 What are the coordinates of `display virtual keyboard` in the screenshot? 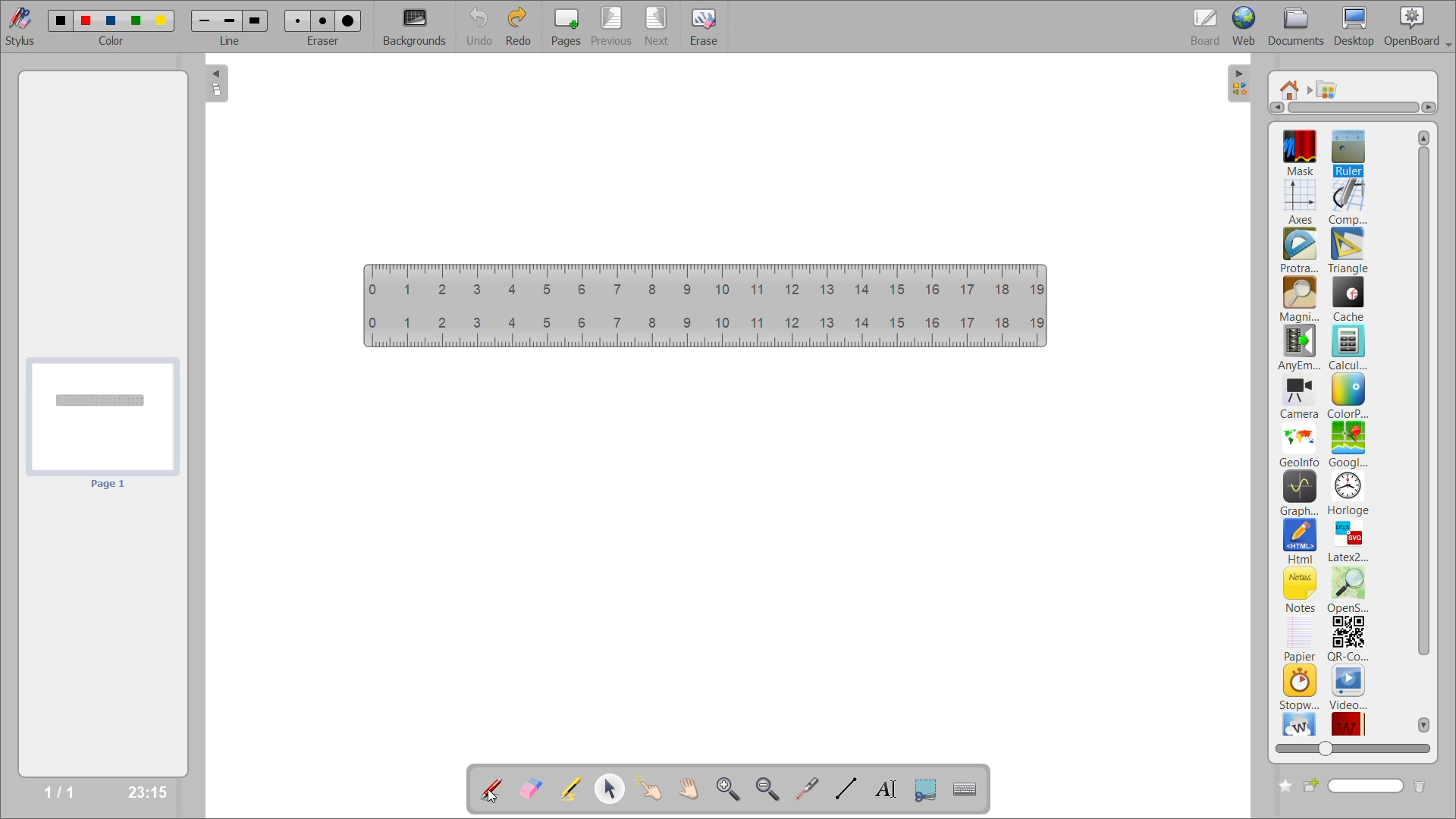 It's located at (968, 789).